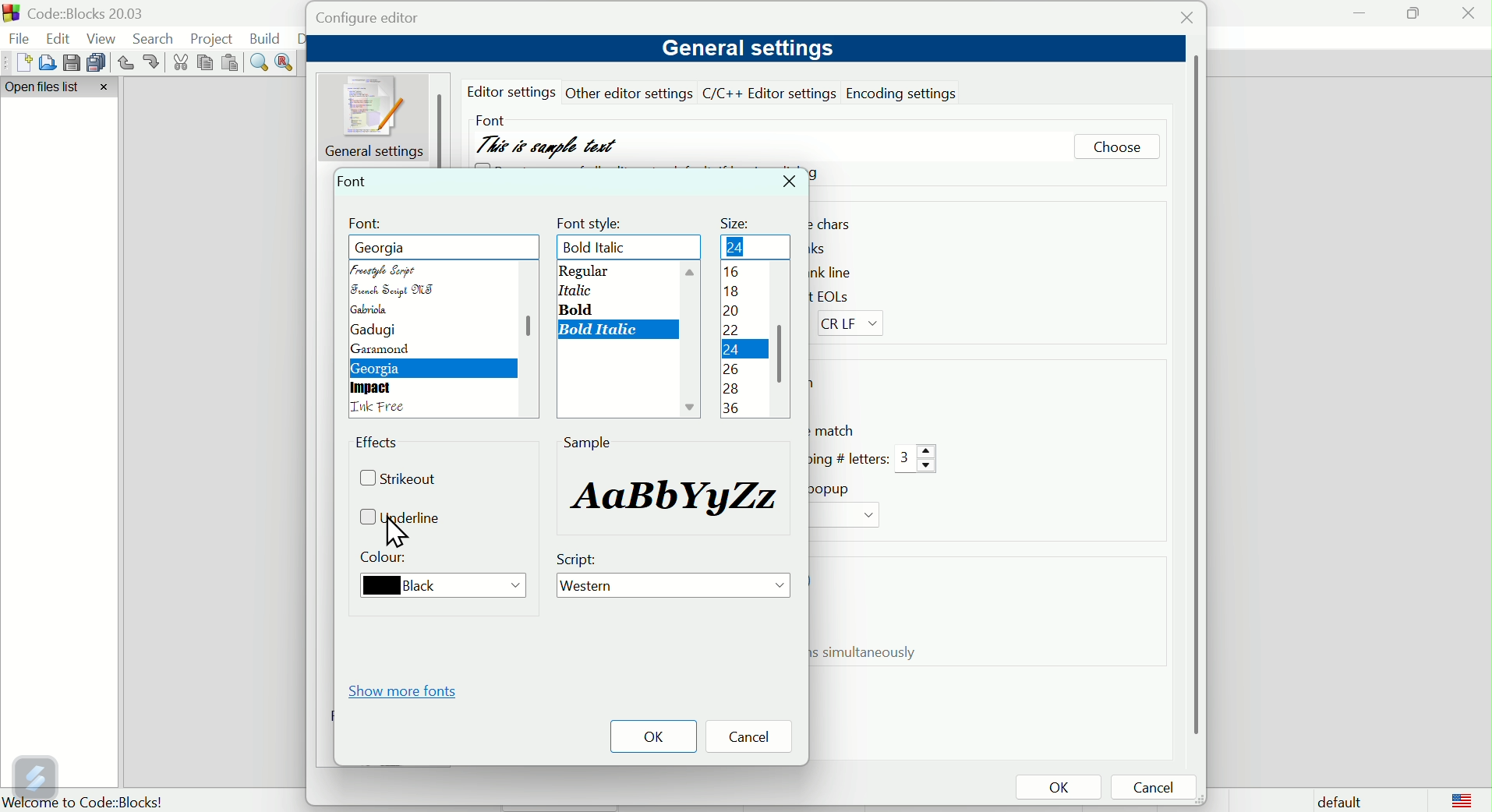  I want to click on scroll bar, so click(524, 334).